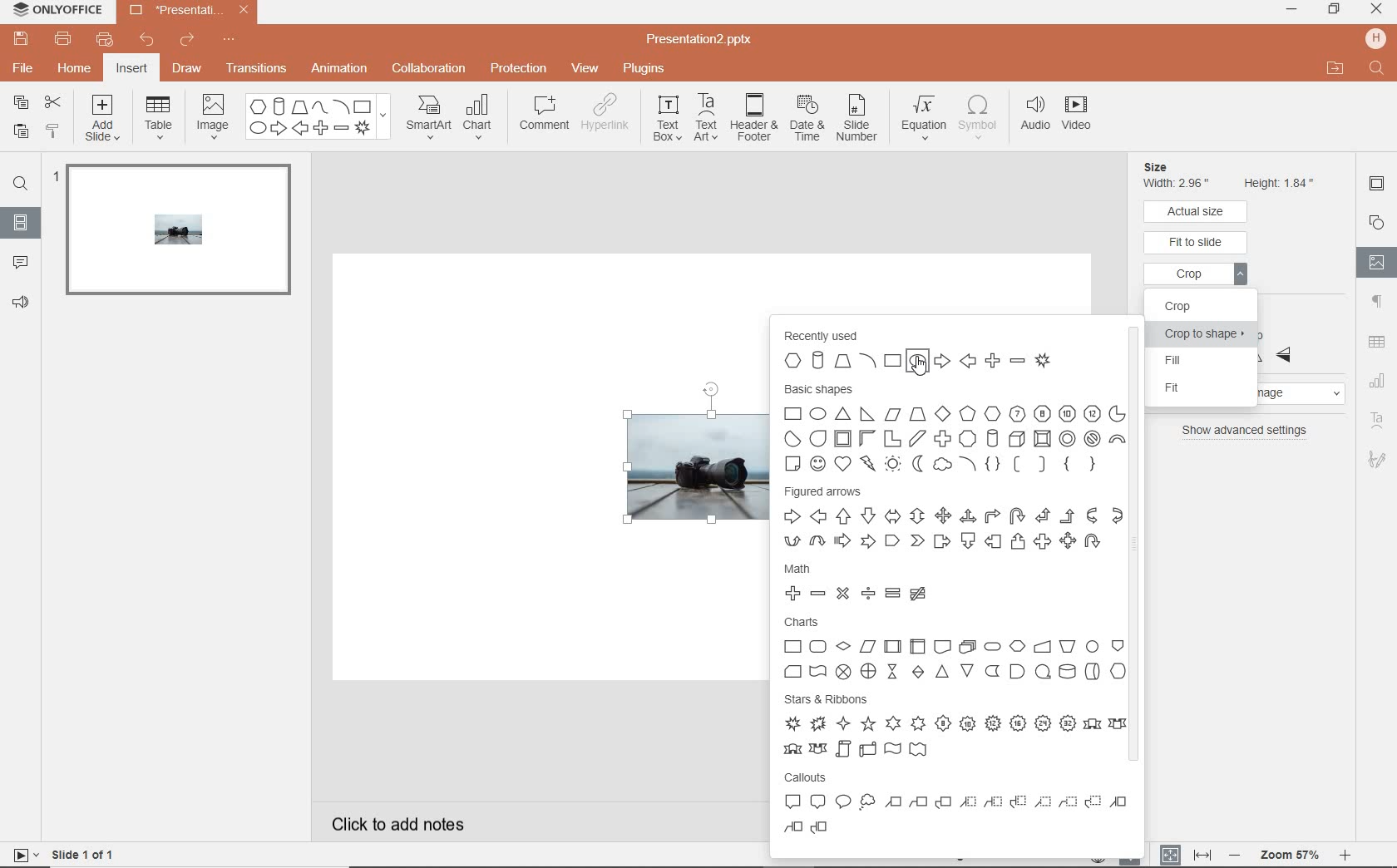 The height and width of the screenshot is (868, 1397). I want to click on hyperlink, so click(610, 116).